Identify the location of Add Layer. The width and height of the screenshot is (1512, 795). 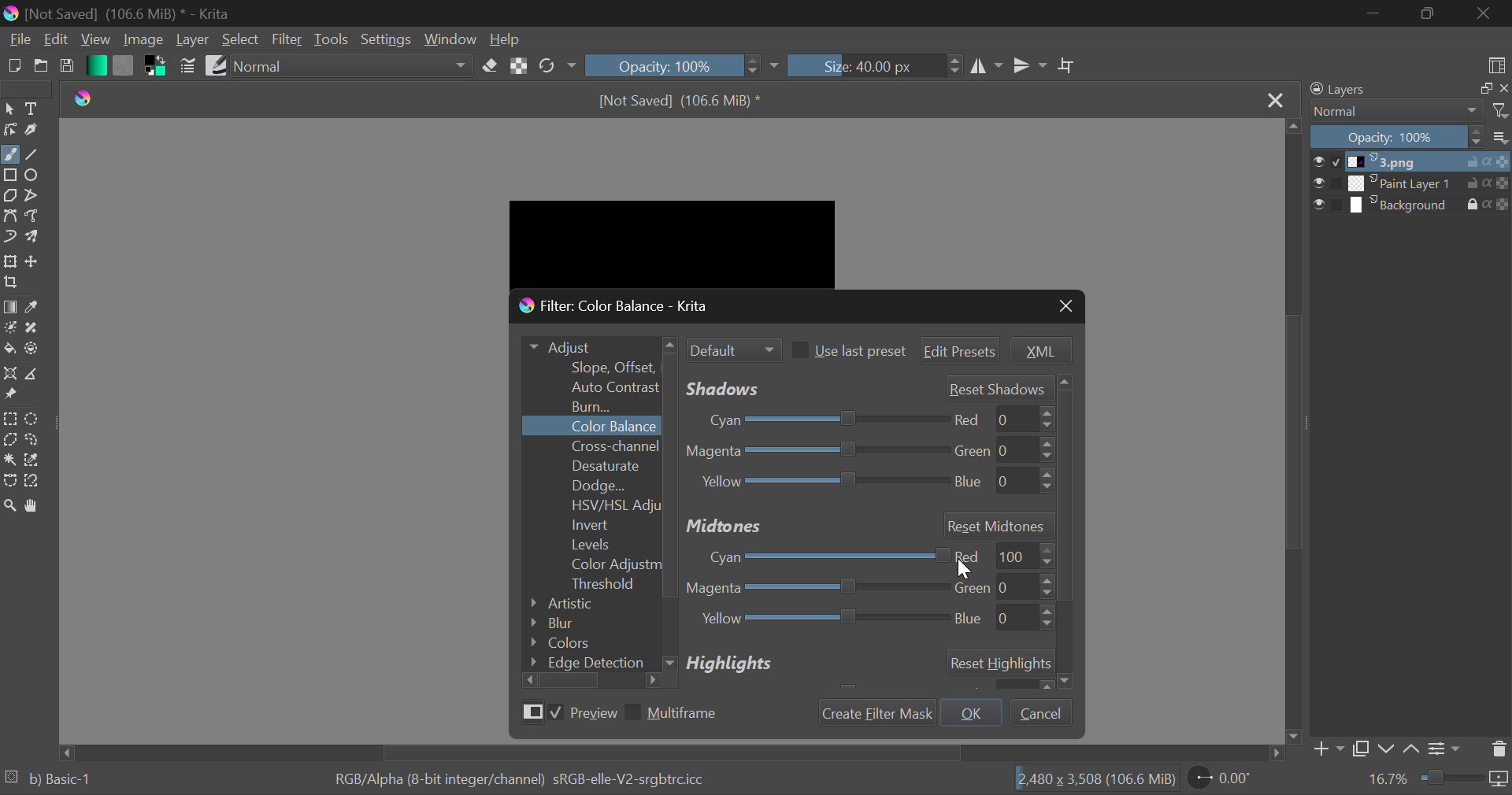
(1329, 749).